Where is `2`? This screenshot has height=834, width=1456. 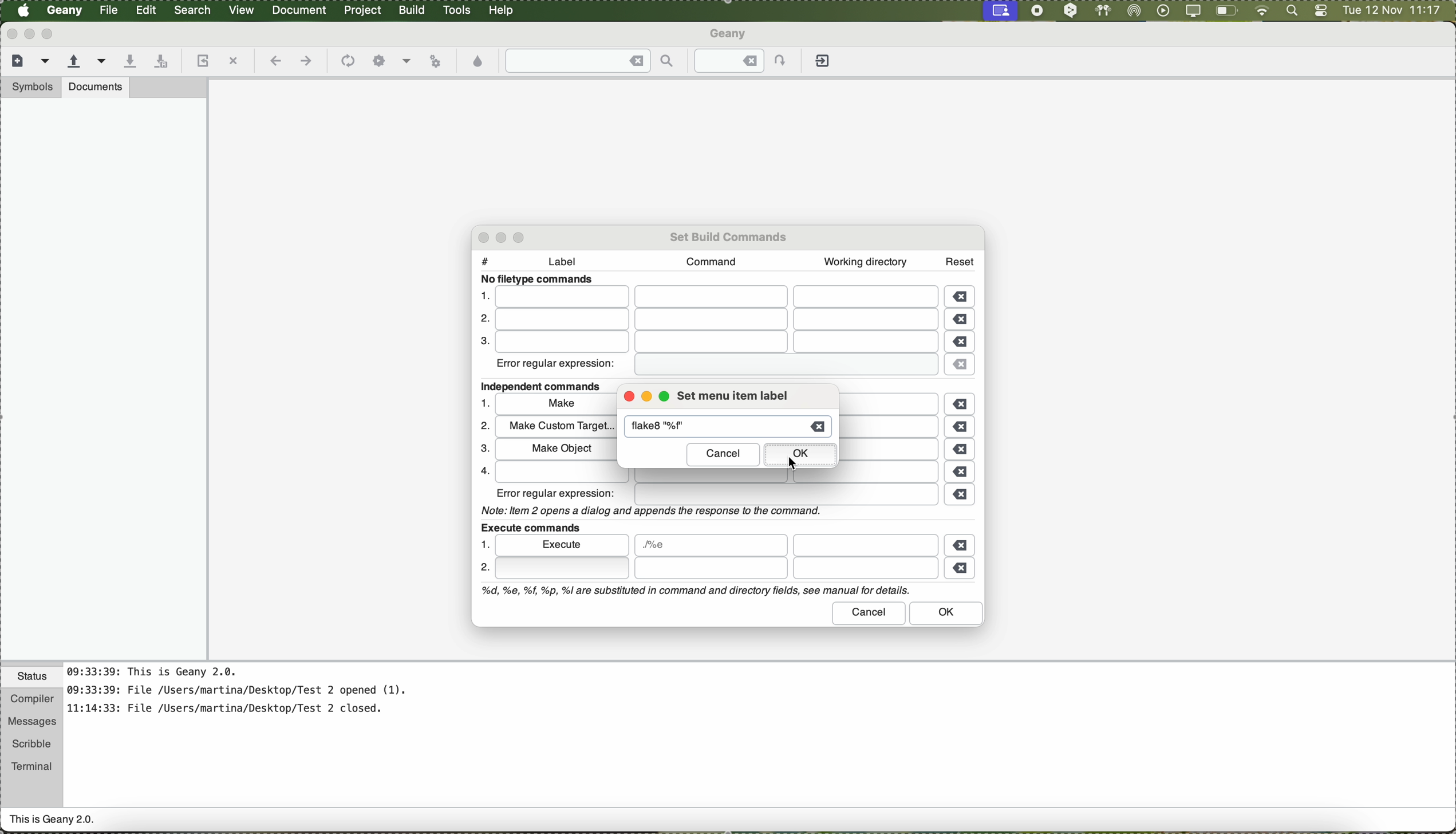
2 is located at coordinates (480, 320).